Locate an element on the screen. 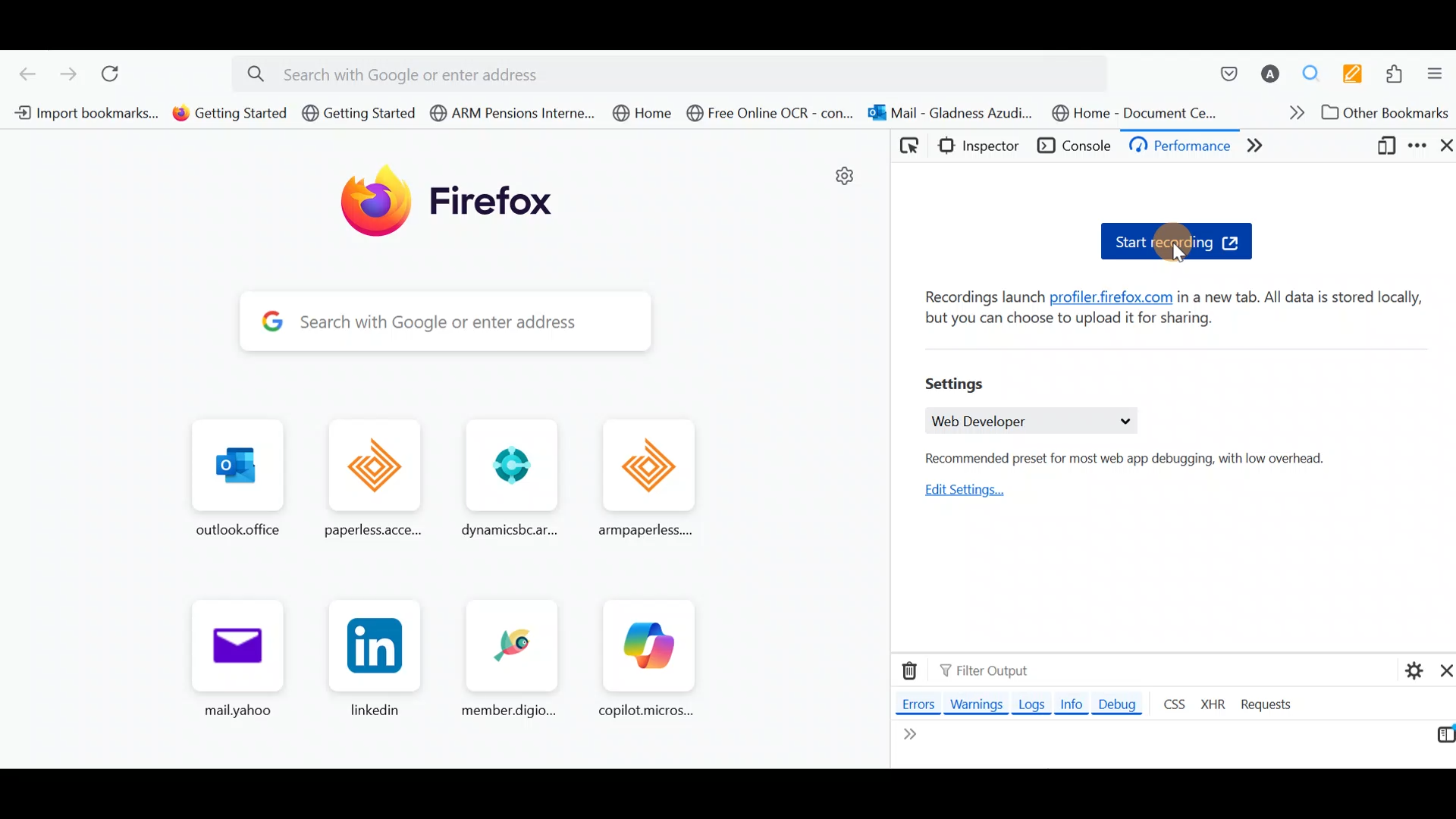 The image size is (1456, 819). Info is located at coordinates (1071, 707).